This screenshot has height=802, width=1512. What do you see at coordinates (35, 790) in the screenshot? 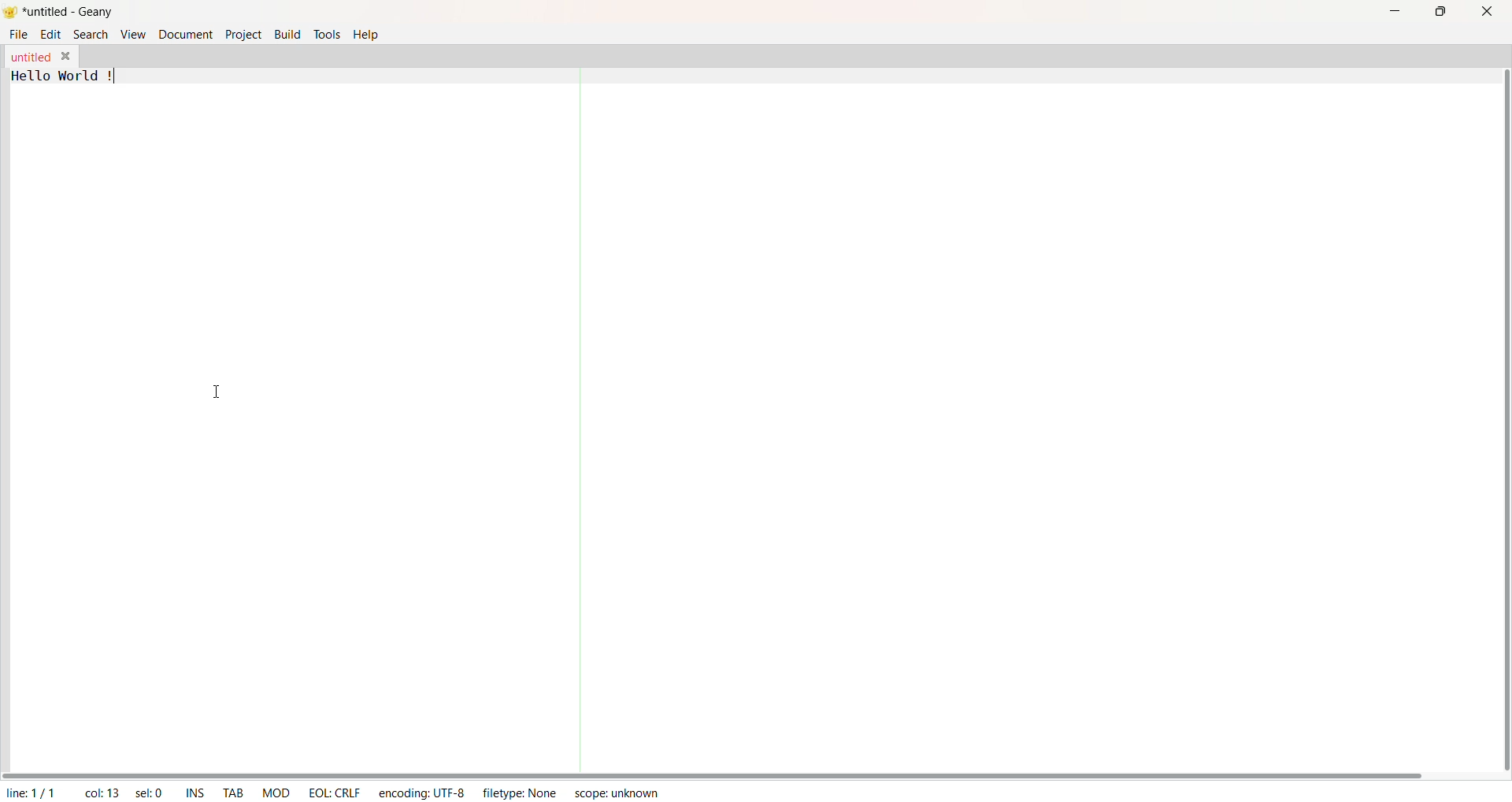
I see `Line 1/1` at bounding box center [35, 790].